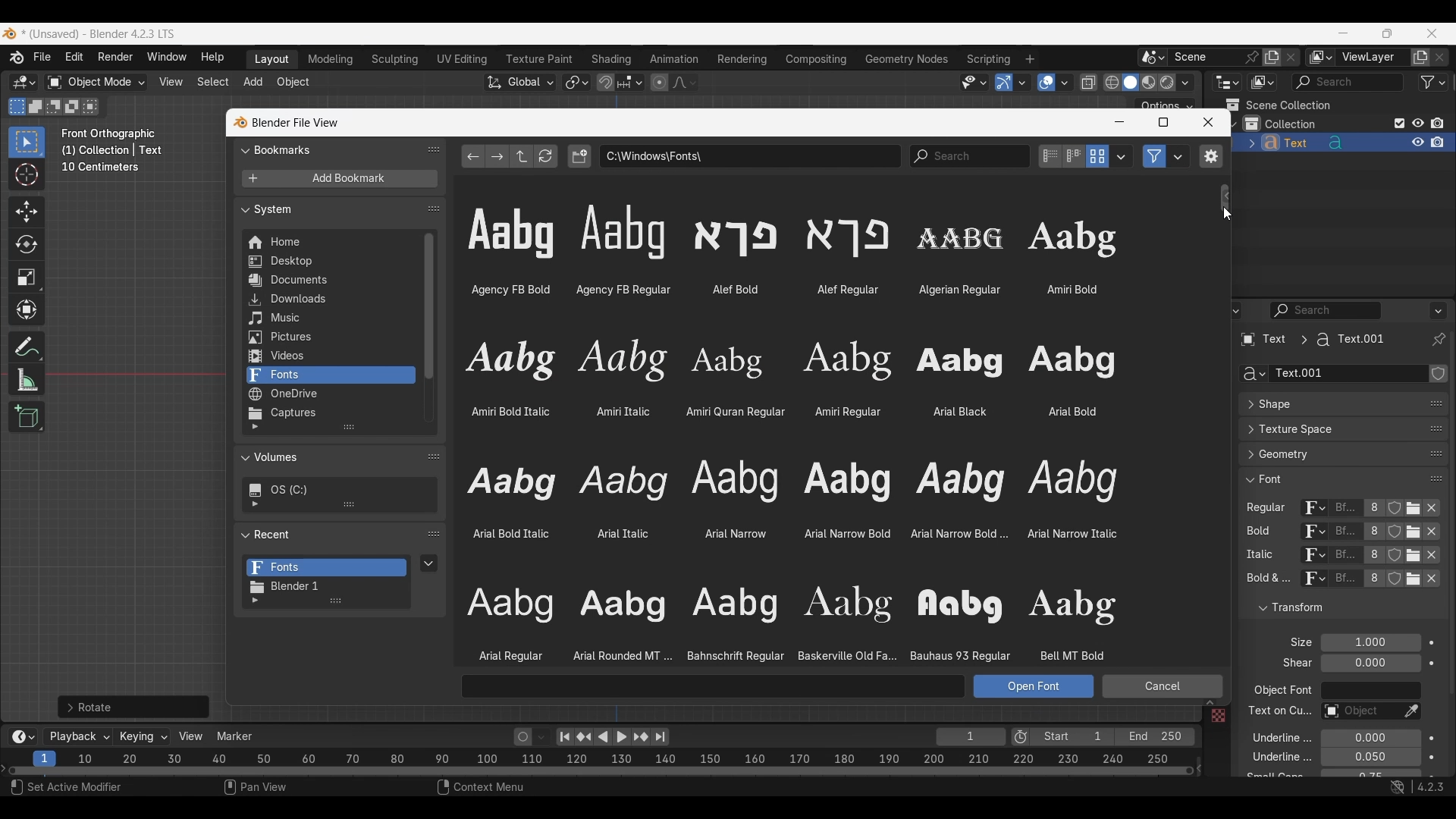 This screenshot has width=1456, height=819. What do you see at coordinates (1373, 58) in the screenshot?
I see `Name view layer` at bounding box center [1373, 58].